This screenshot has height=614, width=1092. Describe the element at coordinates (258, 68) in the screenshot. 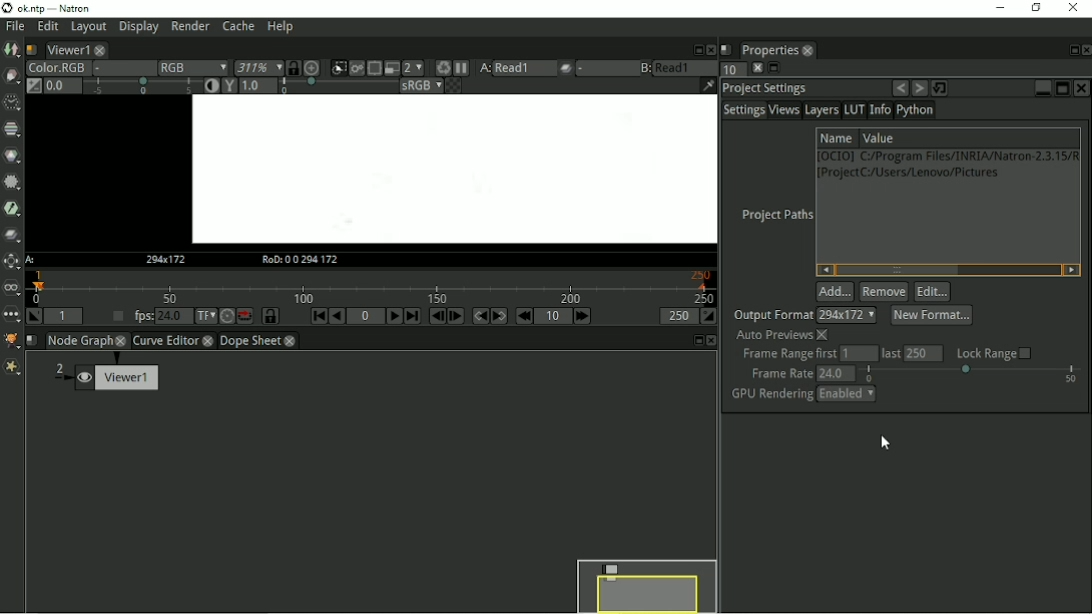

I see `Zoom` at that location.